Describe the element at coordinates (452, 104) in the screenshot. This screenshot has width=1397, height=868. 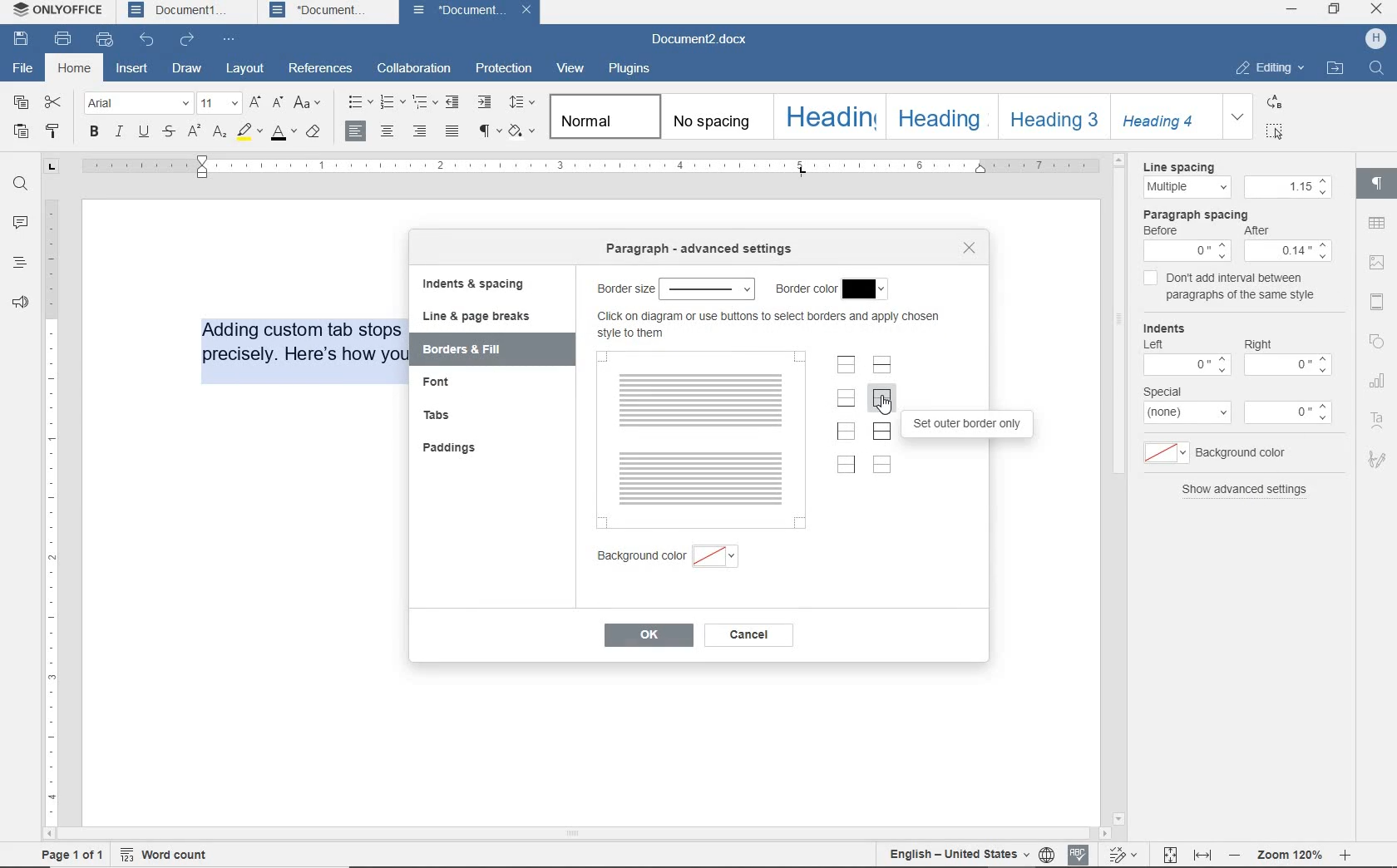
I see `decrease indent` at that location.